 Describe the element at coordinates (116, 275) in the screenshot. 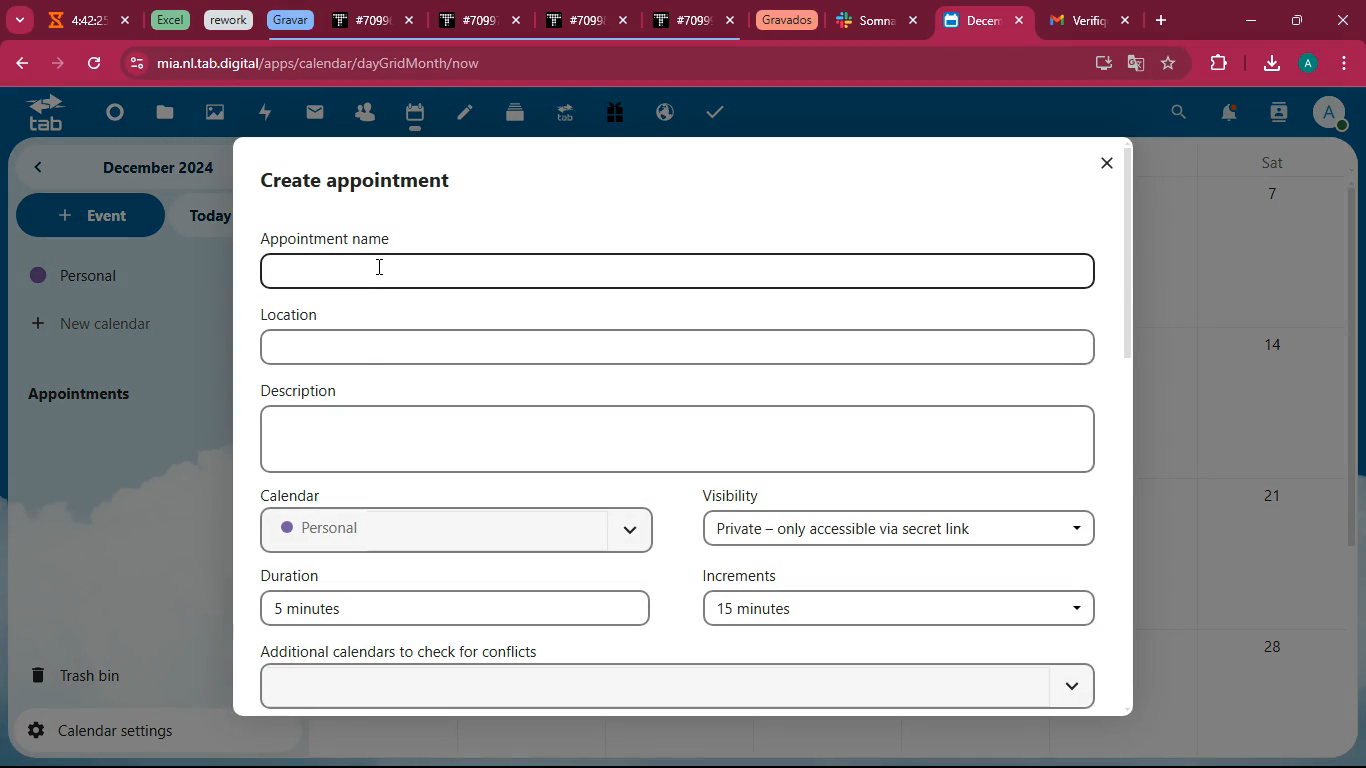

I see `personal` at that location.